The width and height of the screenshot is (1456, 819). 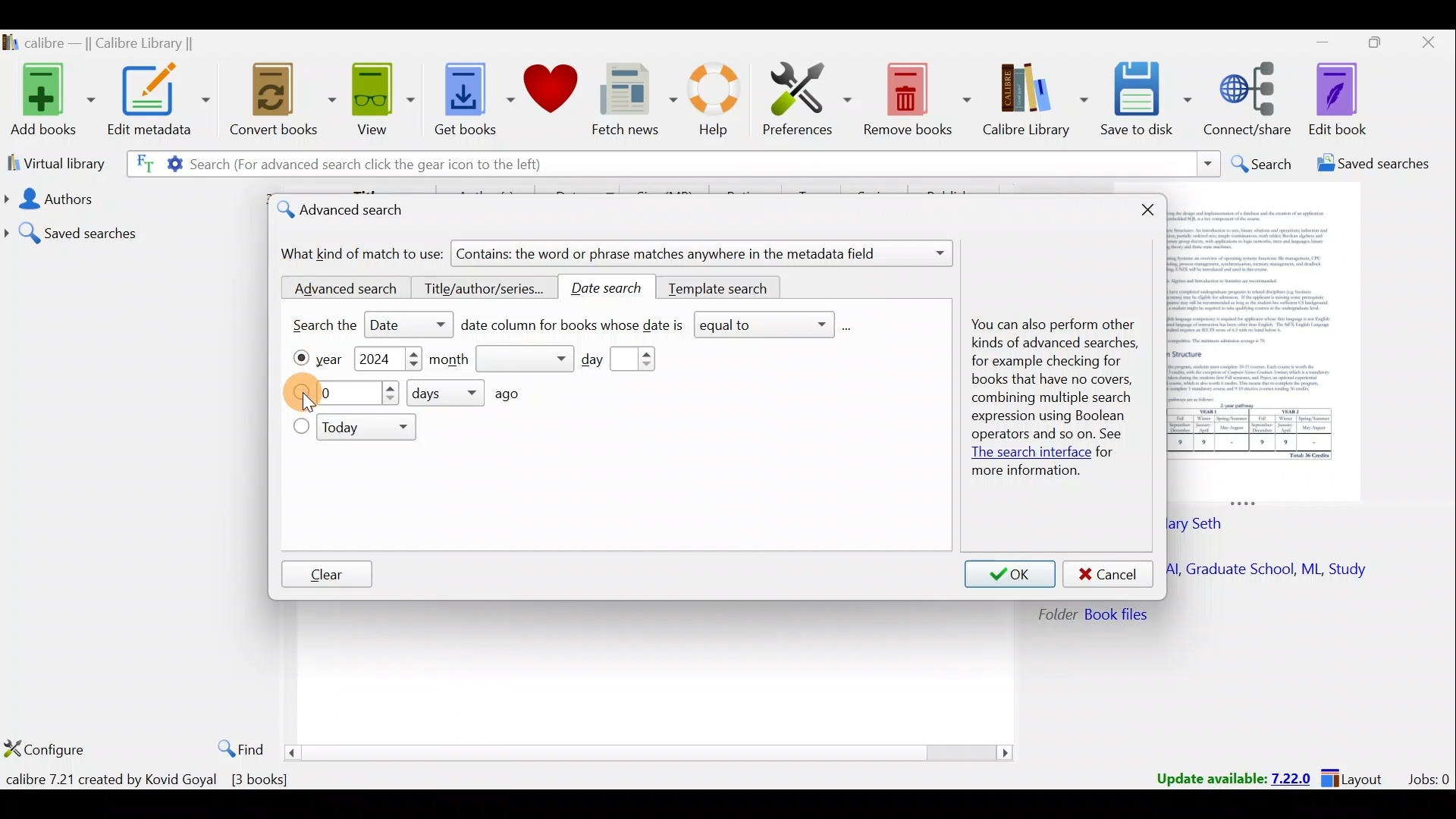 What do you see at coordinates (1151, 212) in the screenshot?
I see `Close` at bounding box center [1151, 212].